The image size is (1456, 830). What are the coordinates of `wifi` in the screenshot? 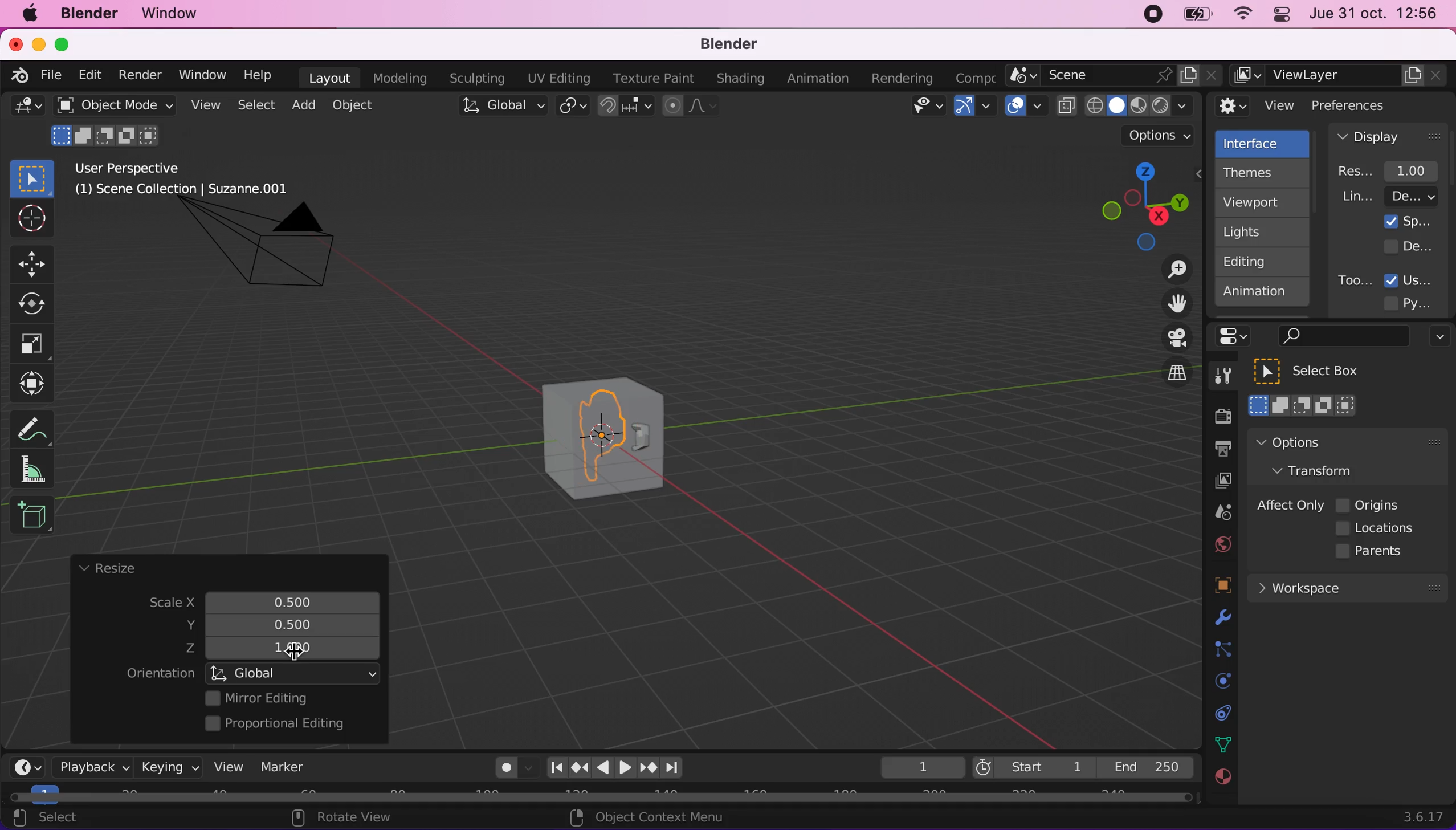 It's located at (1239, 17).